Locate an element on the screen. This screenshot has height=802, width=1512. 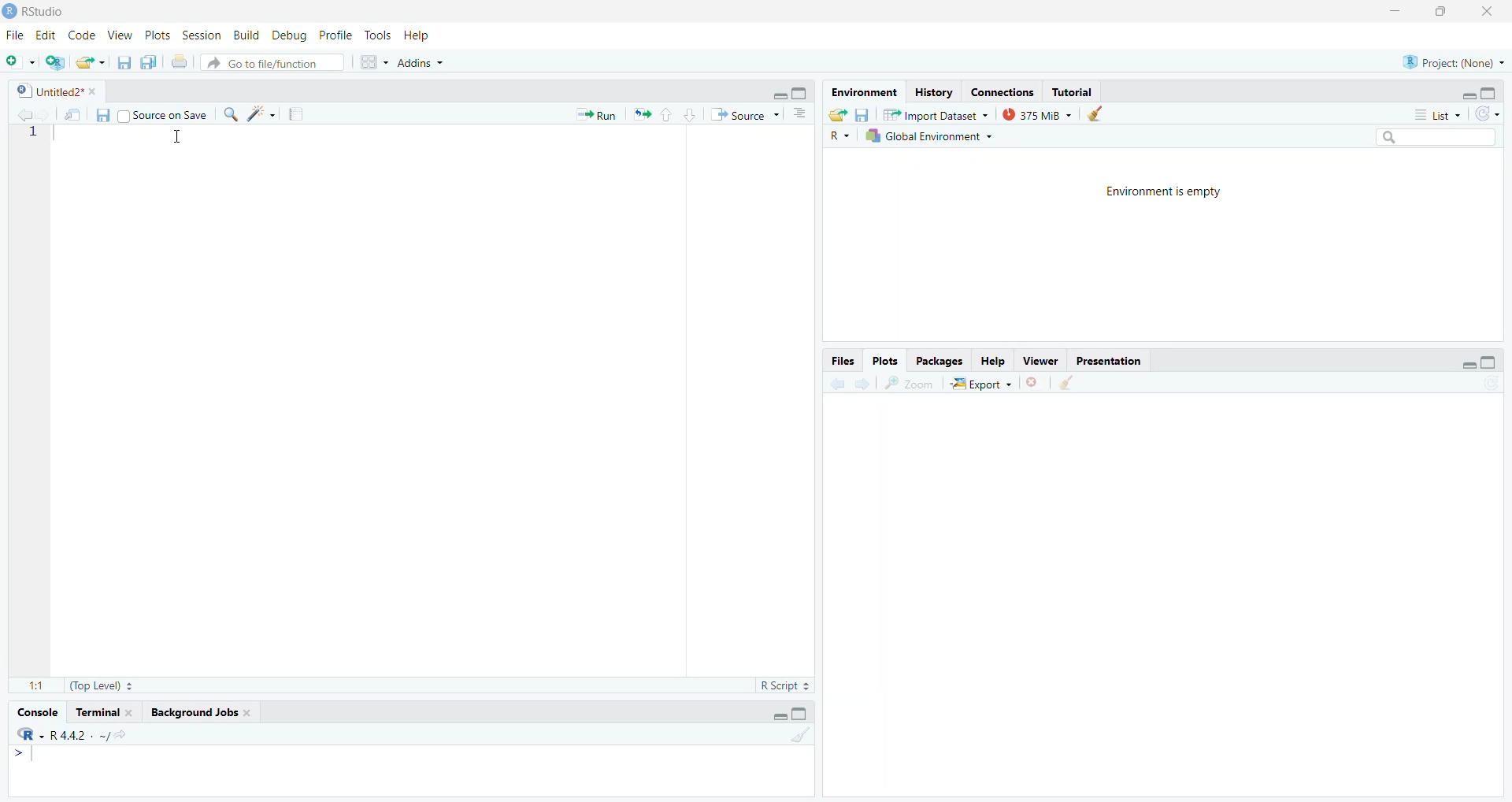
clear current plots is located at coordinates (1036, 382).